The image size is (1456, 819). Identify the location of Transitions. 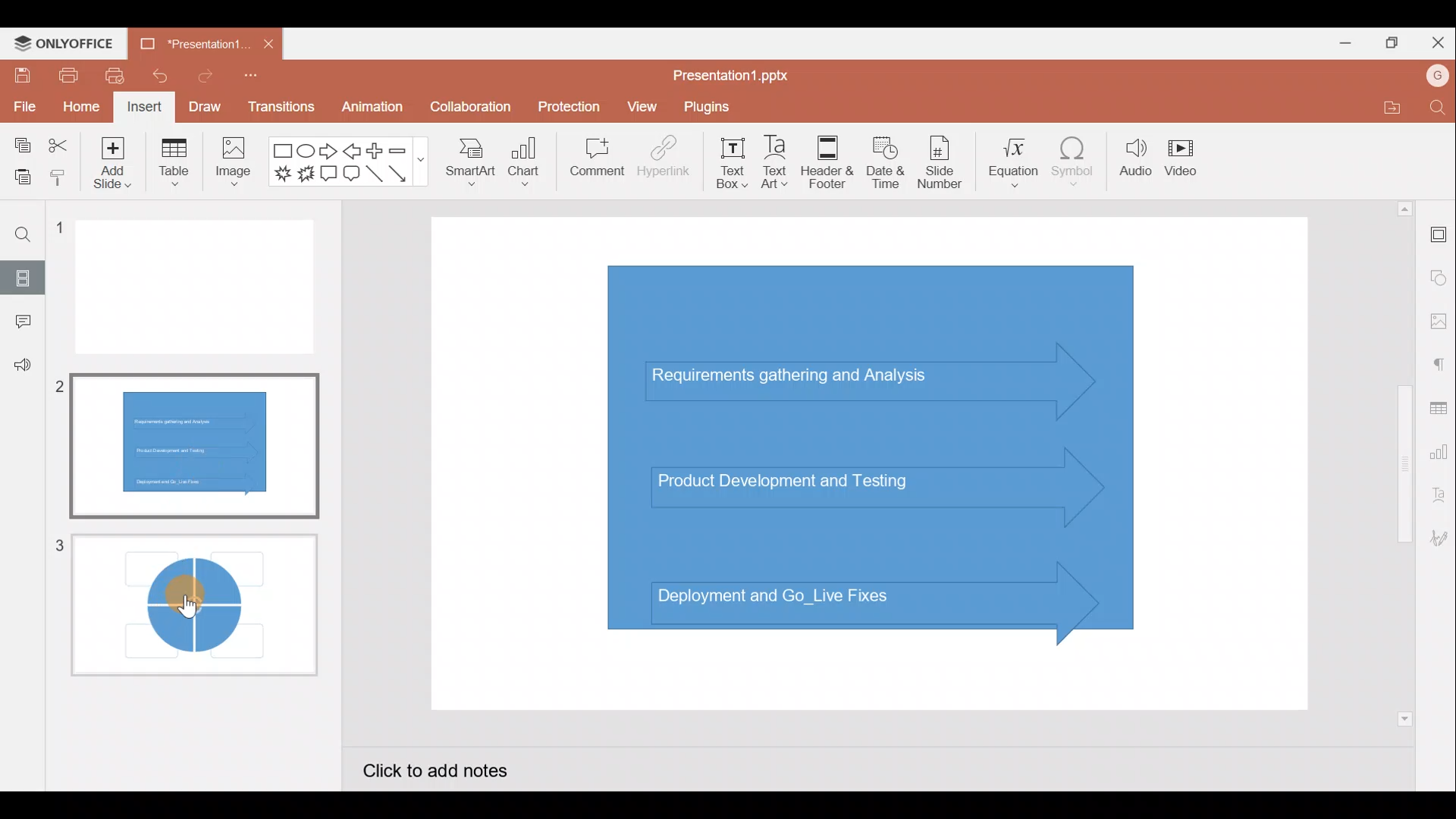
(279, 106).